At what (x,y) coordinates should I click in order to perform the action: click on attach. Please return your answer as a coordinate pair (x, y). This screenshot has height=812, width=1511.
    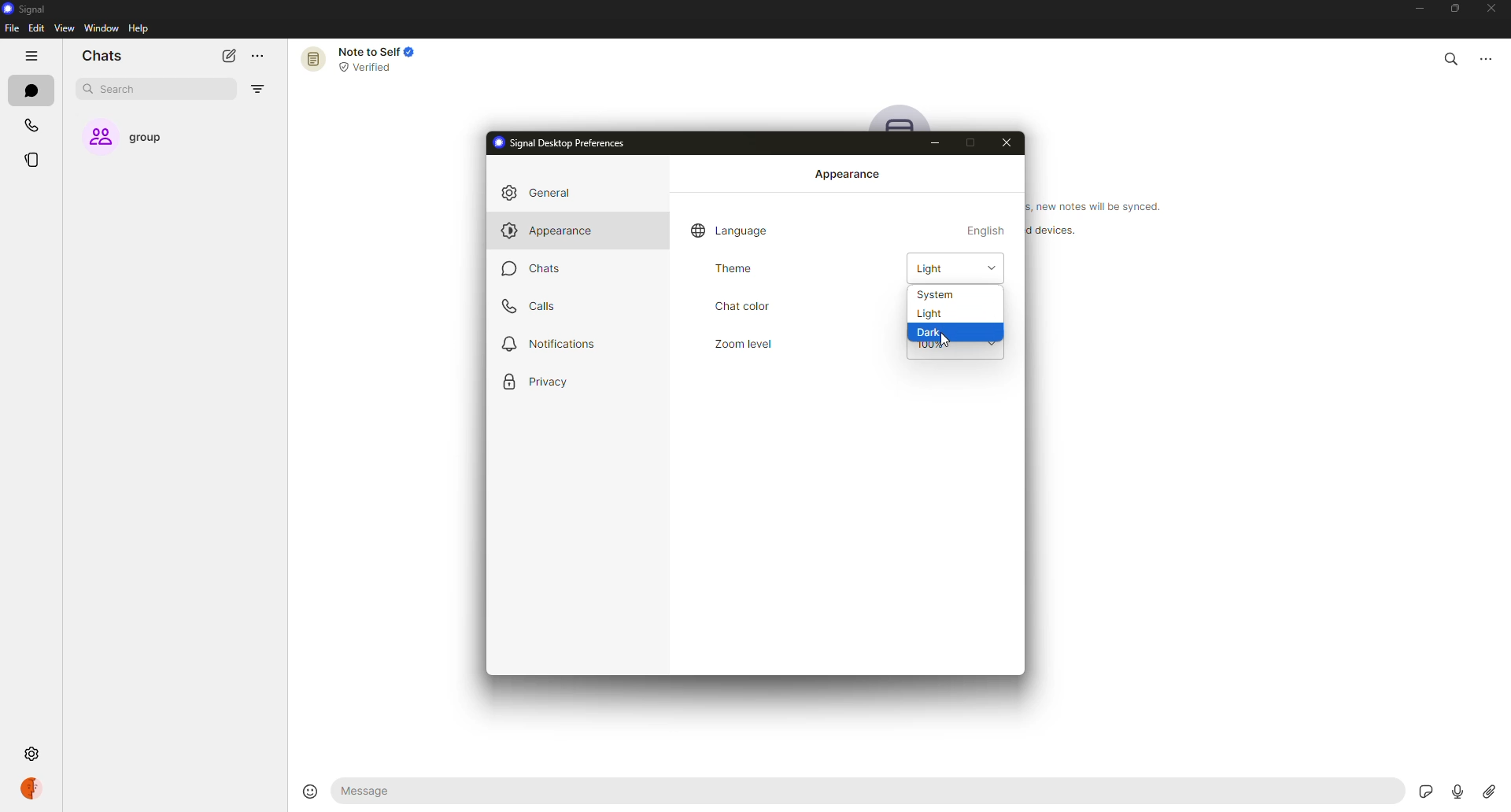
    Looking at the image, I should click on (1487, 791).